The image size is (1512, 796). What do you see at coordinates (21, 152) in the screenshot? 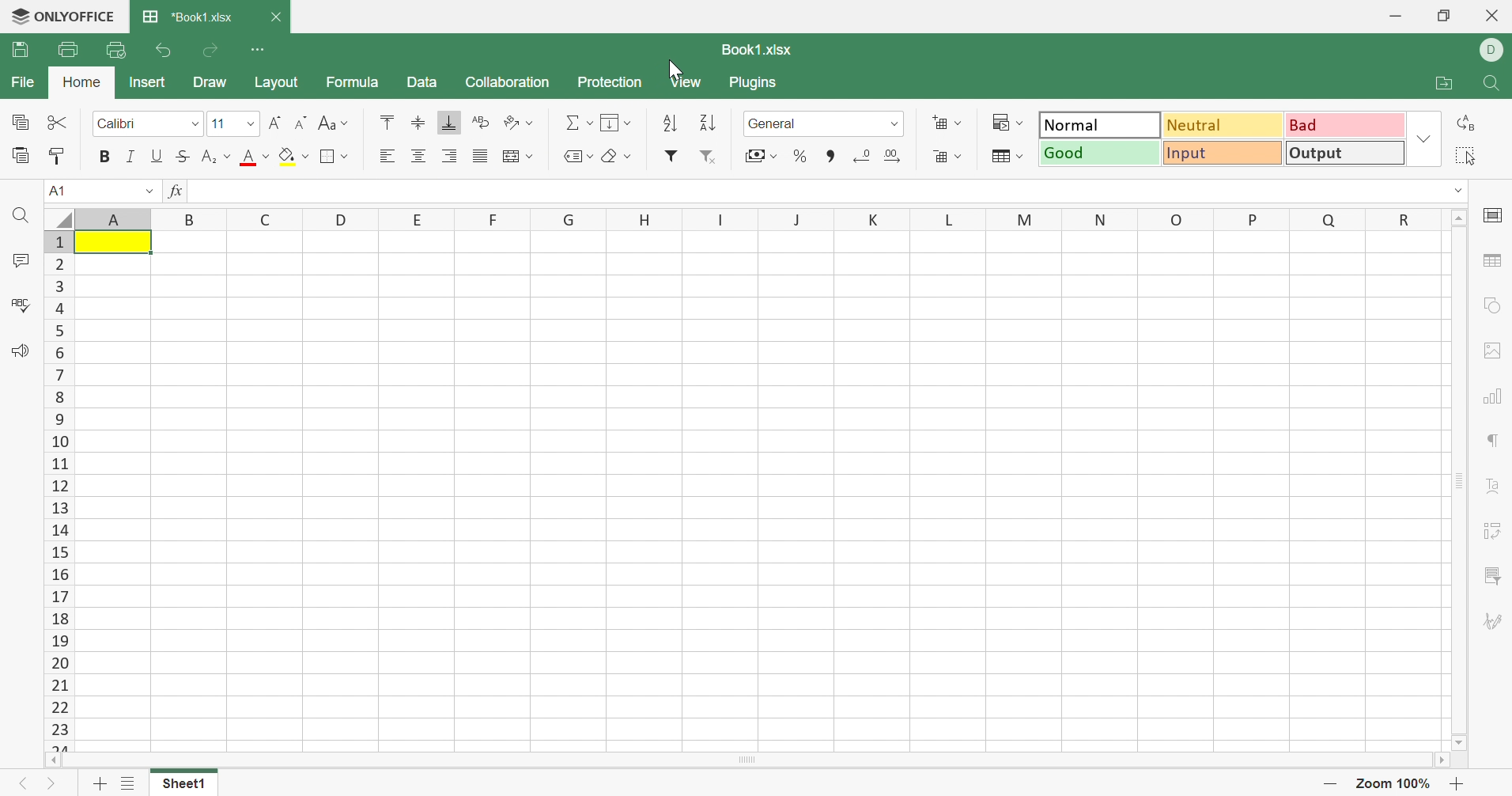
I see `Paste` at bounding box center [21, 152].